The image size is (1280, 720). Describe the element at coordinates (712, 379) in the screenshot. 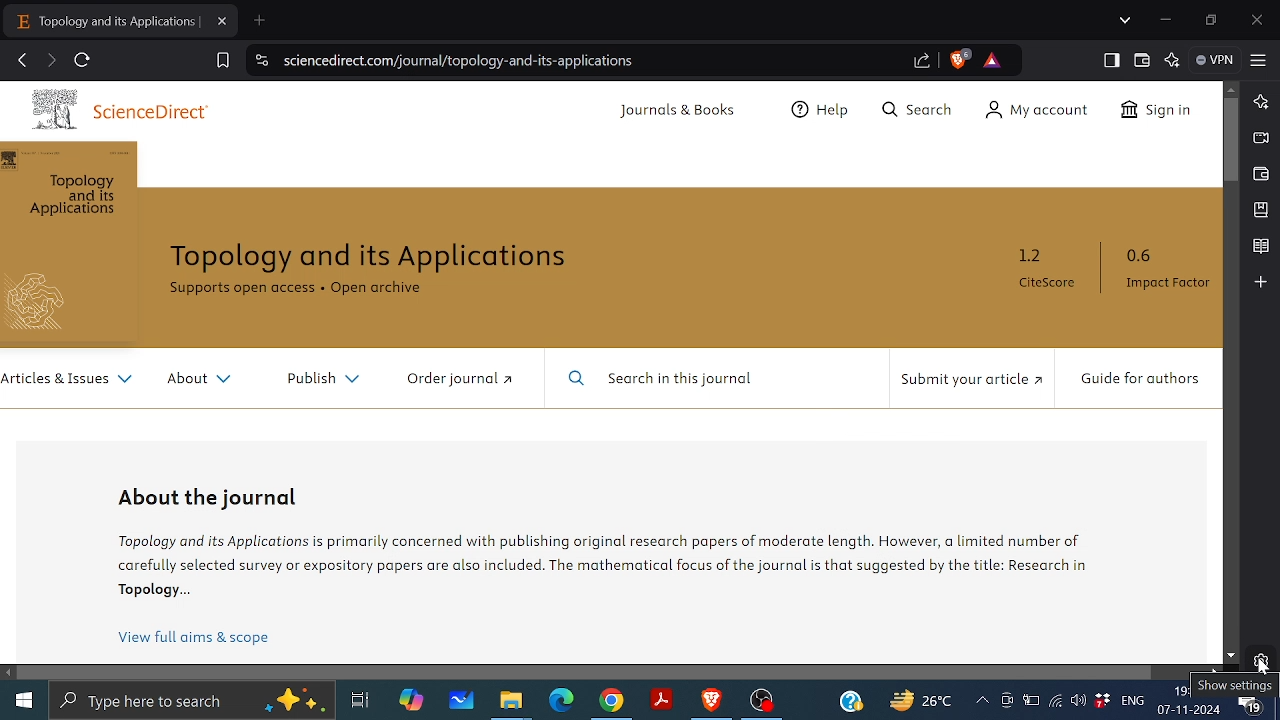

I see `Search bar` at that location.